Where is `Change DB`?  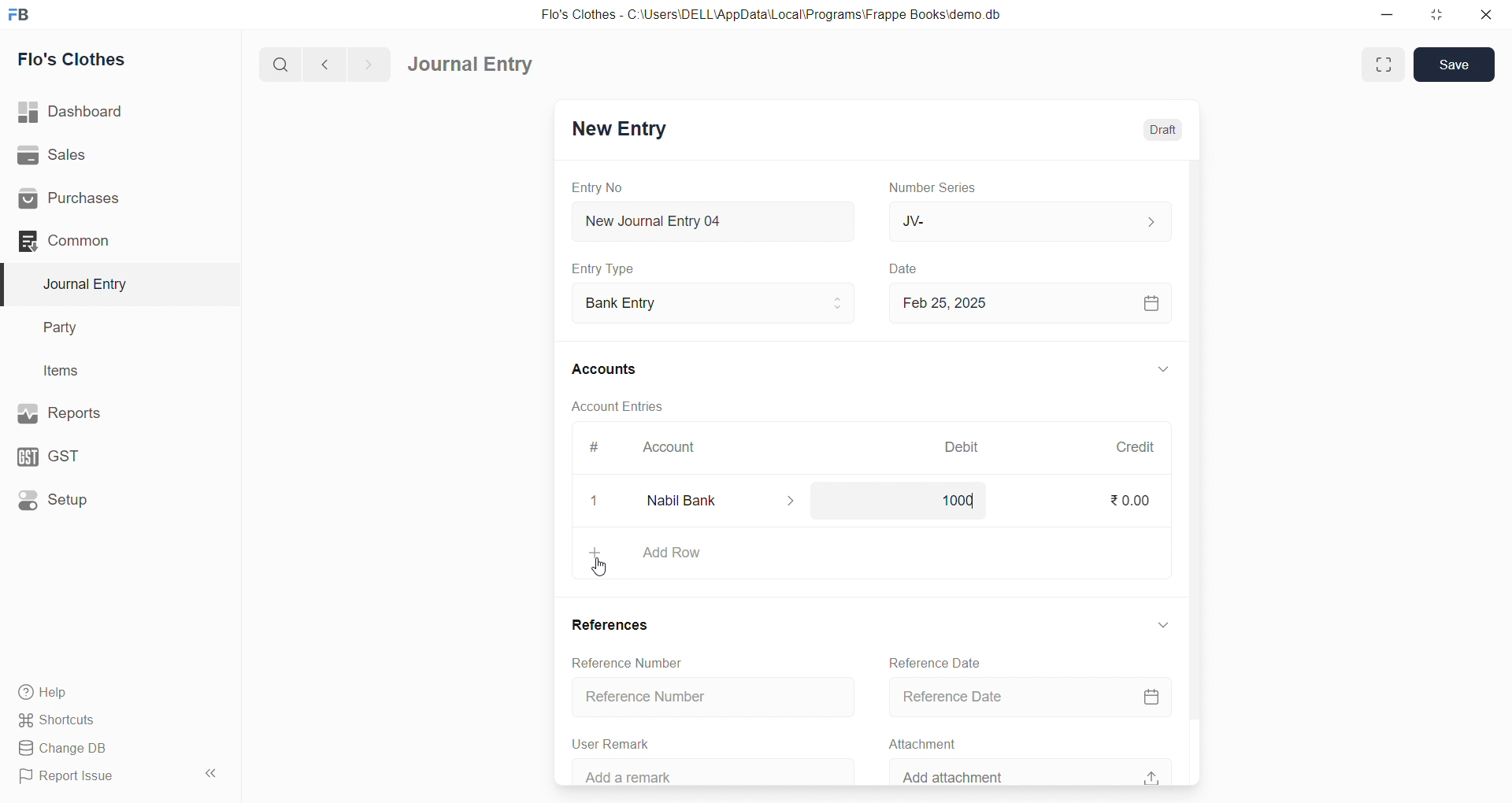
Change DB is located at coordinates (113, 749).